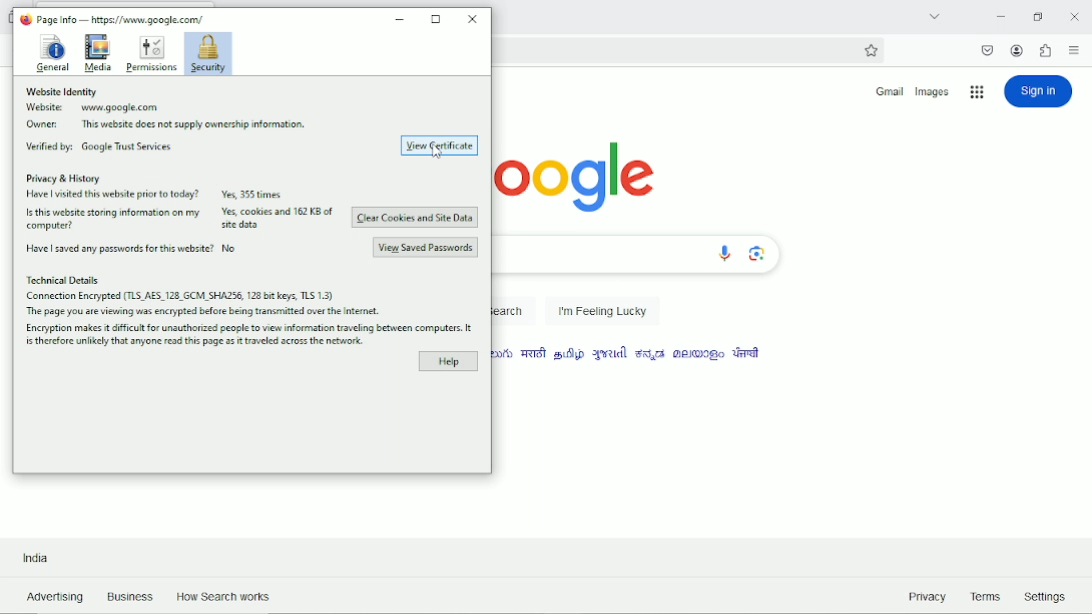 The height and width of the screenshot is (614, 1092). I want to click on Help, so click(449, 361).